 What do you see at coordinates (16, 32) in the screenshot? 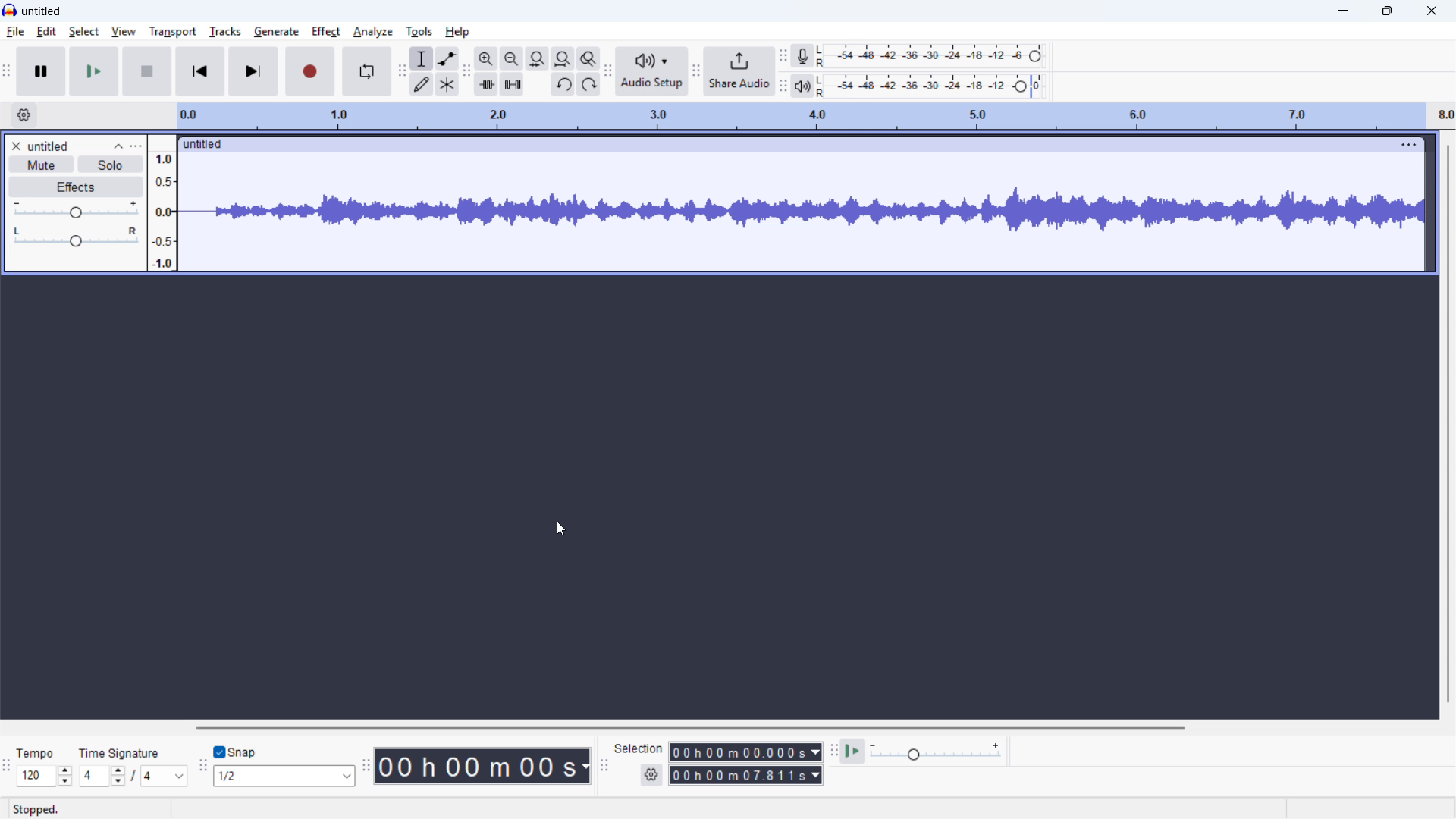
I see `file` at bounding box center [16, 32].